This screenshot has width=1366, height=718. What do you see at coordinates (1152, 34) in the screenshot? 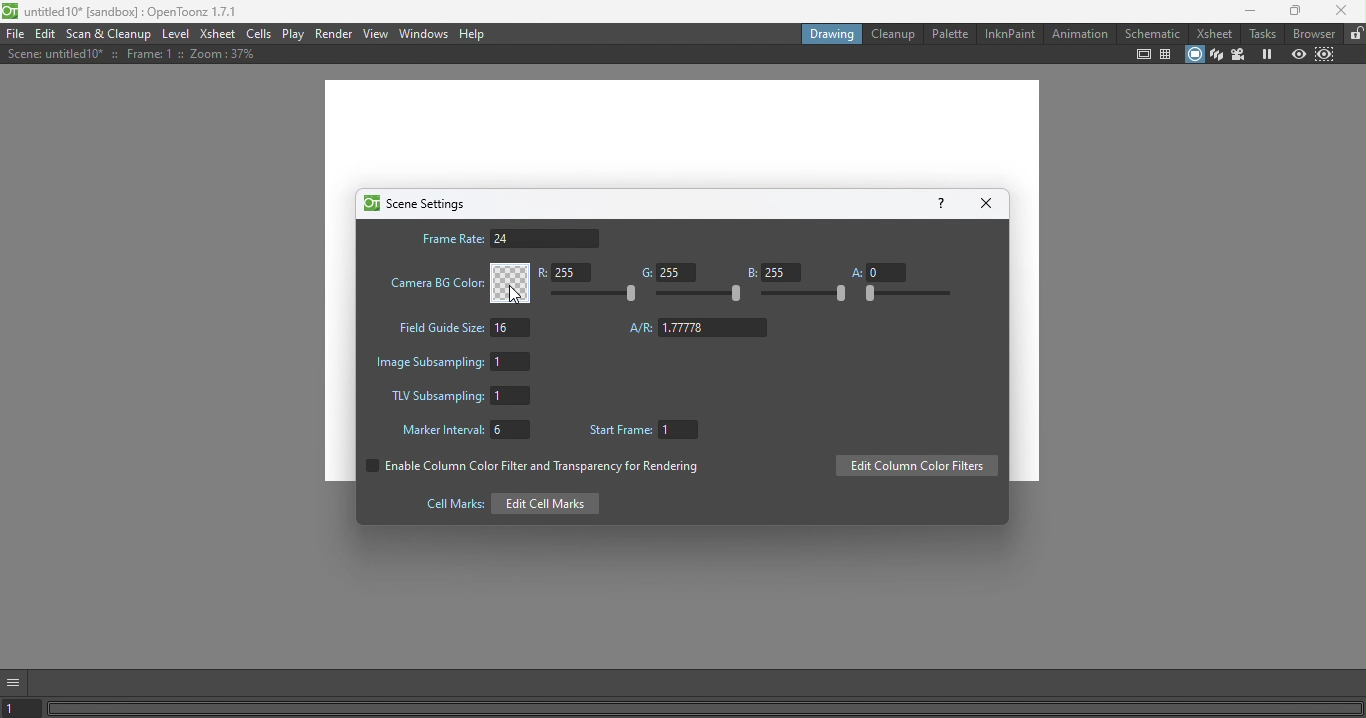
I see `Schematic` at bounding box center [1152, 34].